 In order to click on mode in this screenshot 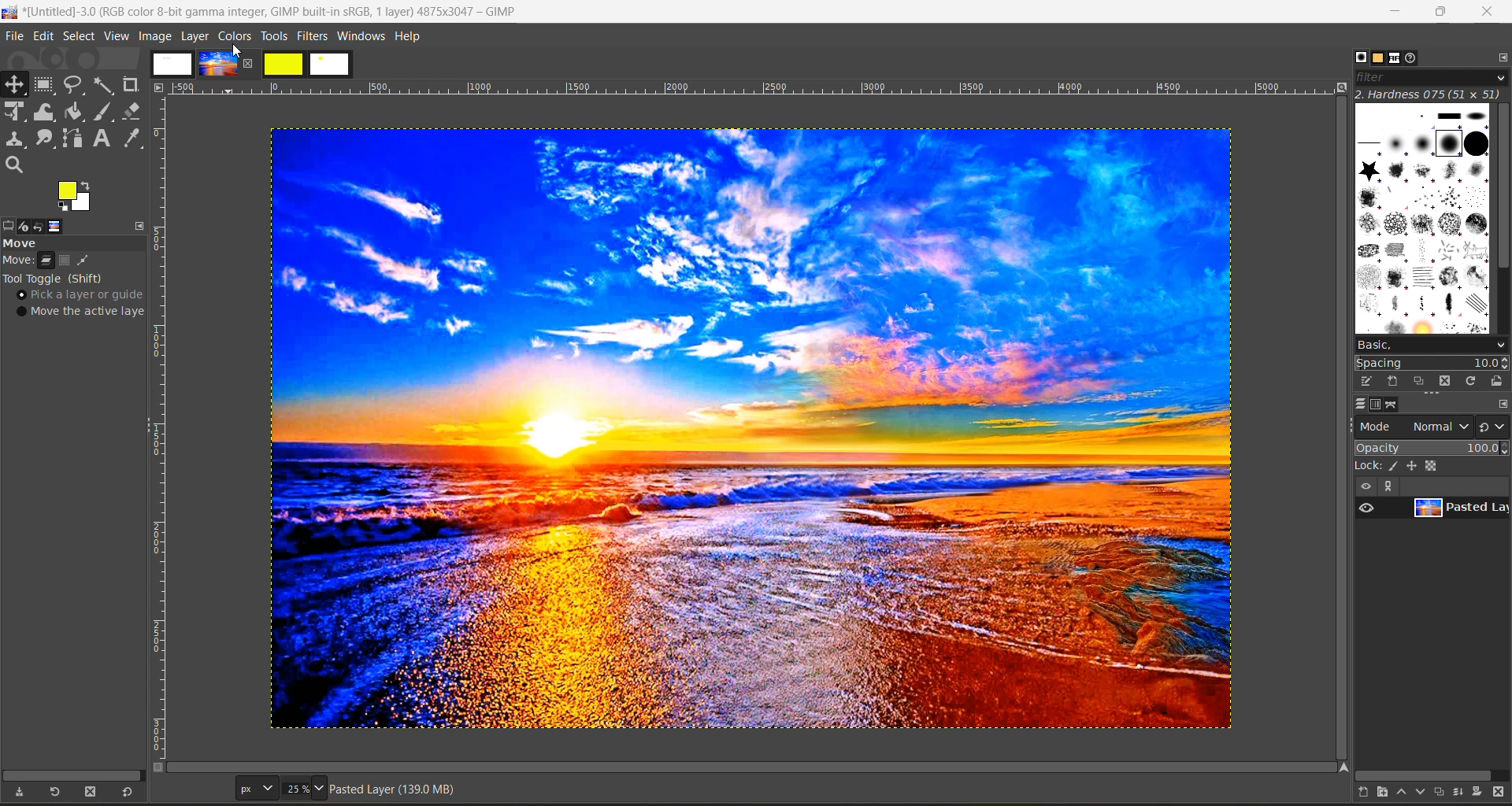, I will do `click(1414, 426)`.